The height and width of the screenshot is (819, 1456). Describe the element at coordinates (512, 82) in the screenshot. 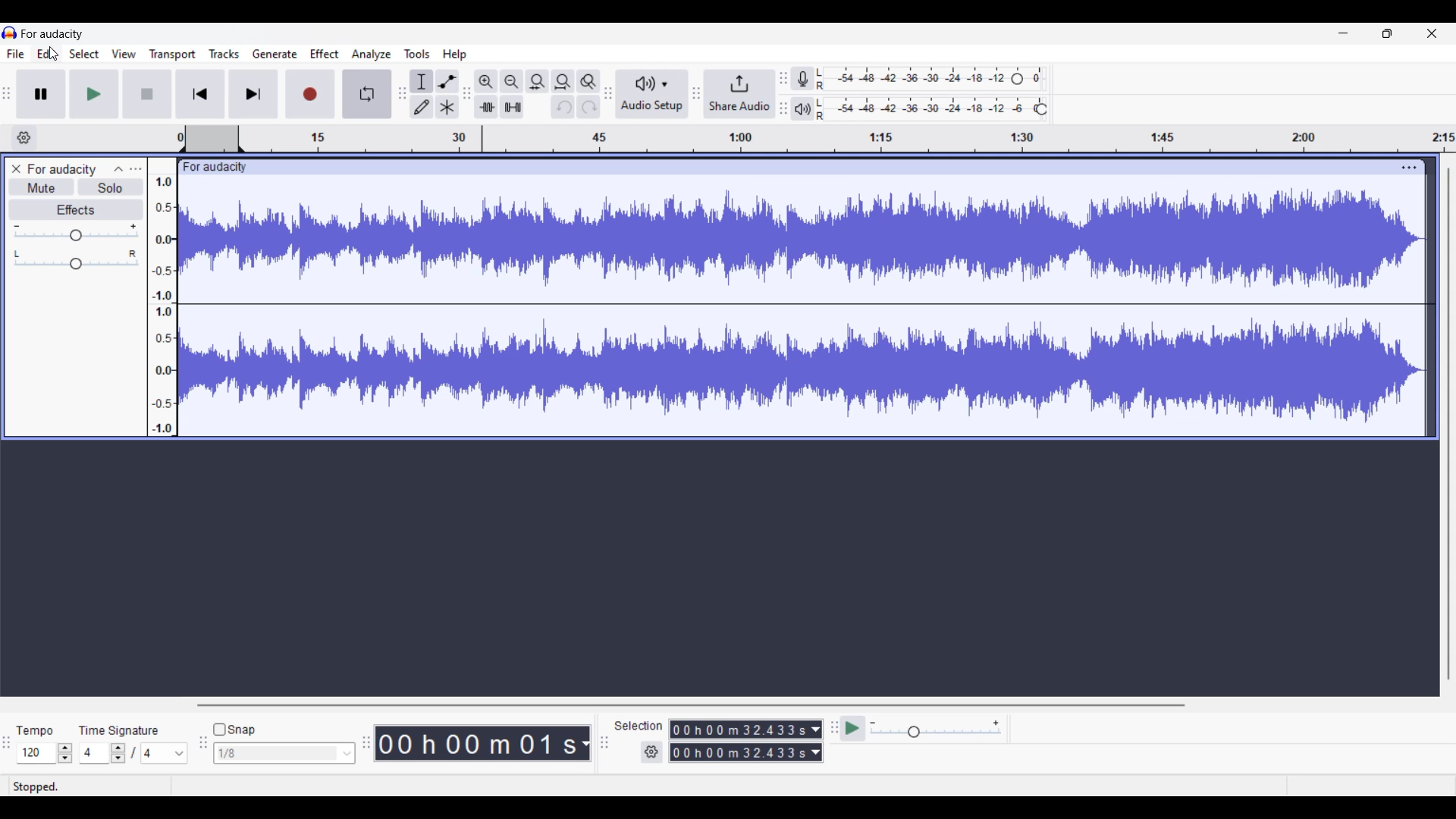

I see `Zoom out` at that location.